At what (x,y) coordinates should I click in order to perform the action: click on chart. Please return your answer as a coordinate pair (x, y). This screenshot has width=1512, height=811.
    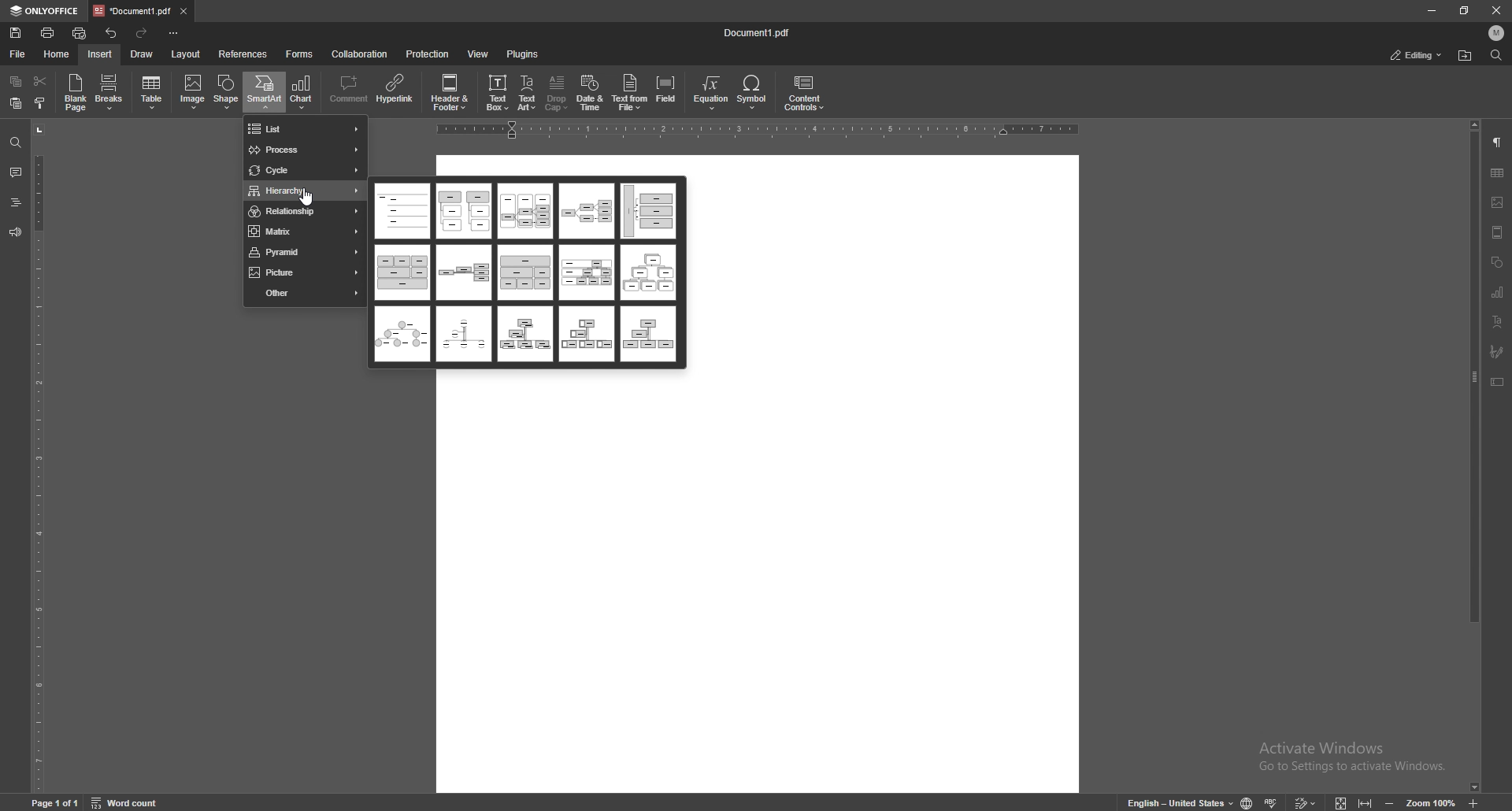
    Looking at the image, I should click on (302, 92).